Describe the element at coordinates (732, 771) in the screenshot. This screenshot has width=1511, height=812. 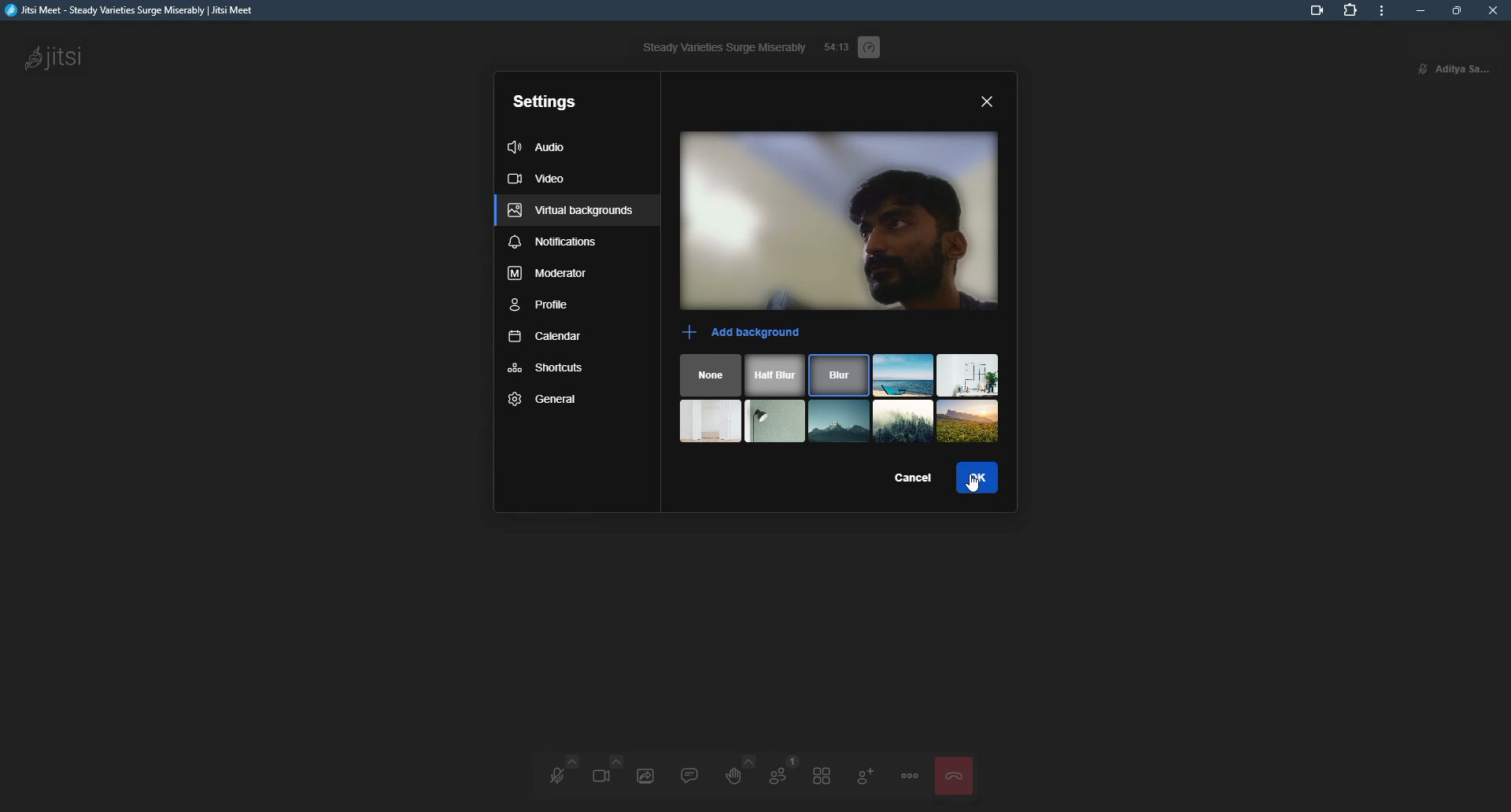
I see `raise your hand` at that location.